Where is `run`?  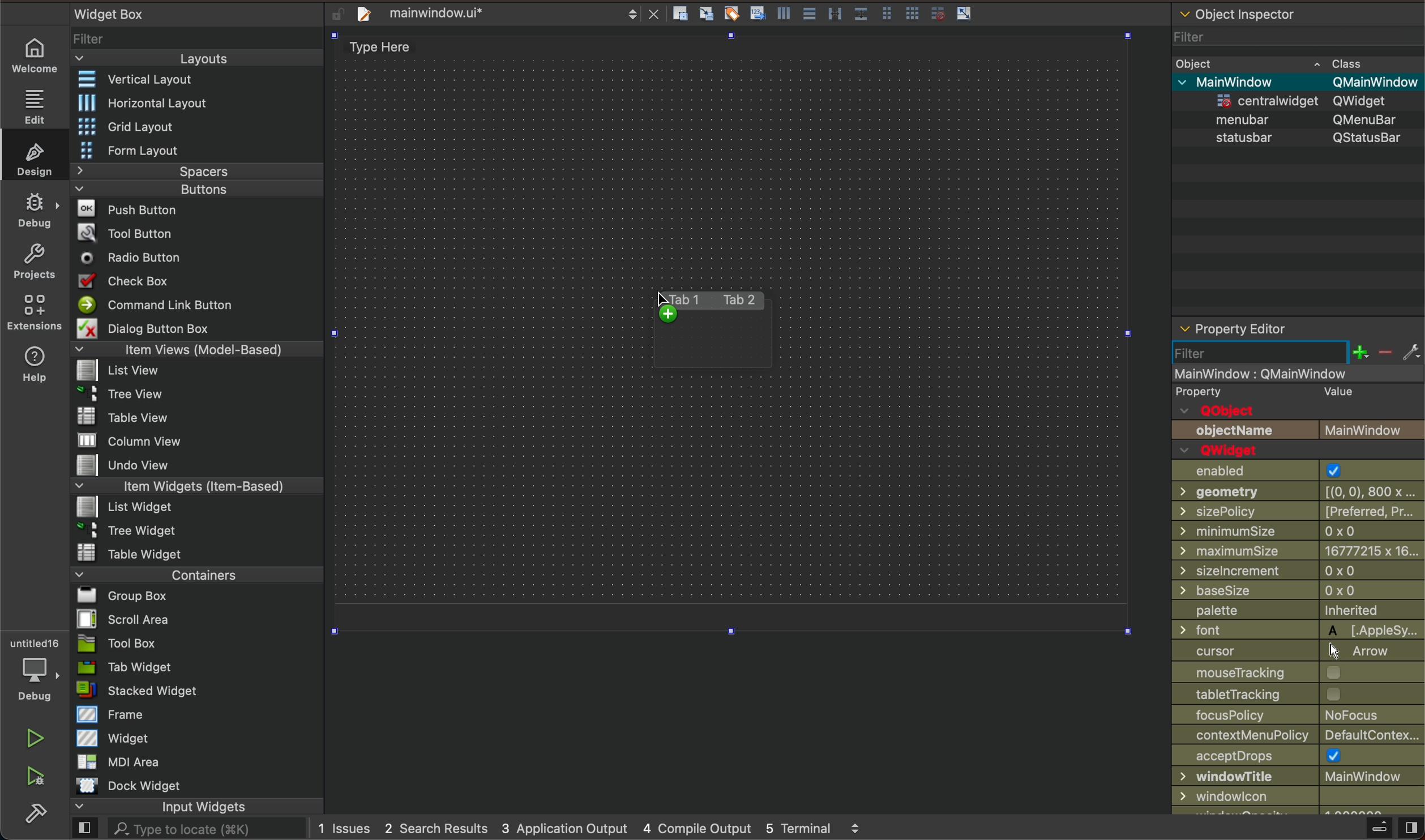
run is located at coordinates (23, 737).